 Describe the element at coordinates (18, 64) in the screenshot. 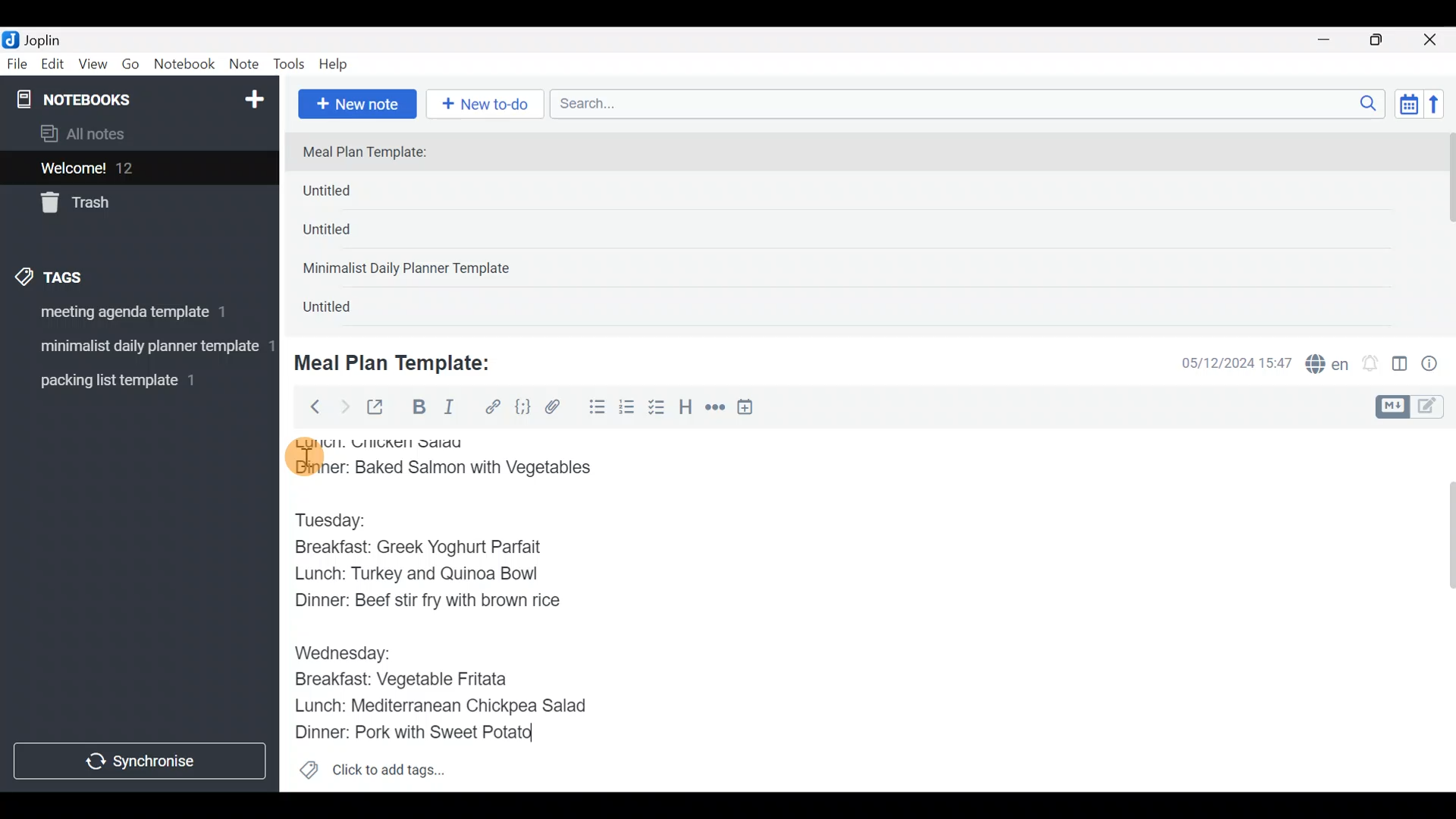

I see `File` at that location.